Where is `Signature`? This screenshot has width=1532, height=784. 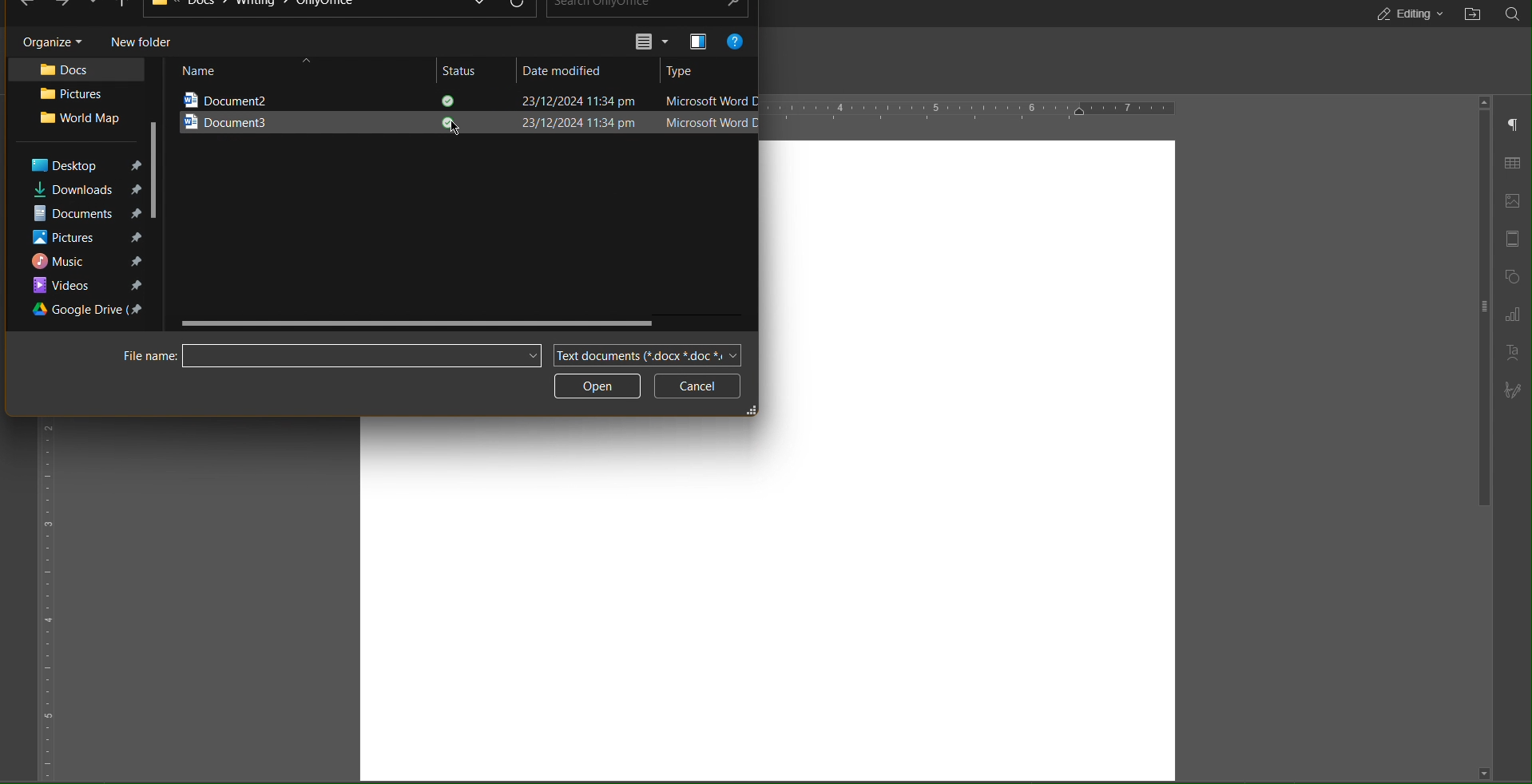 Signature is located at coordinates (1513, 389).